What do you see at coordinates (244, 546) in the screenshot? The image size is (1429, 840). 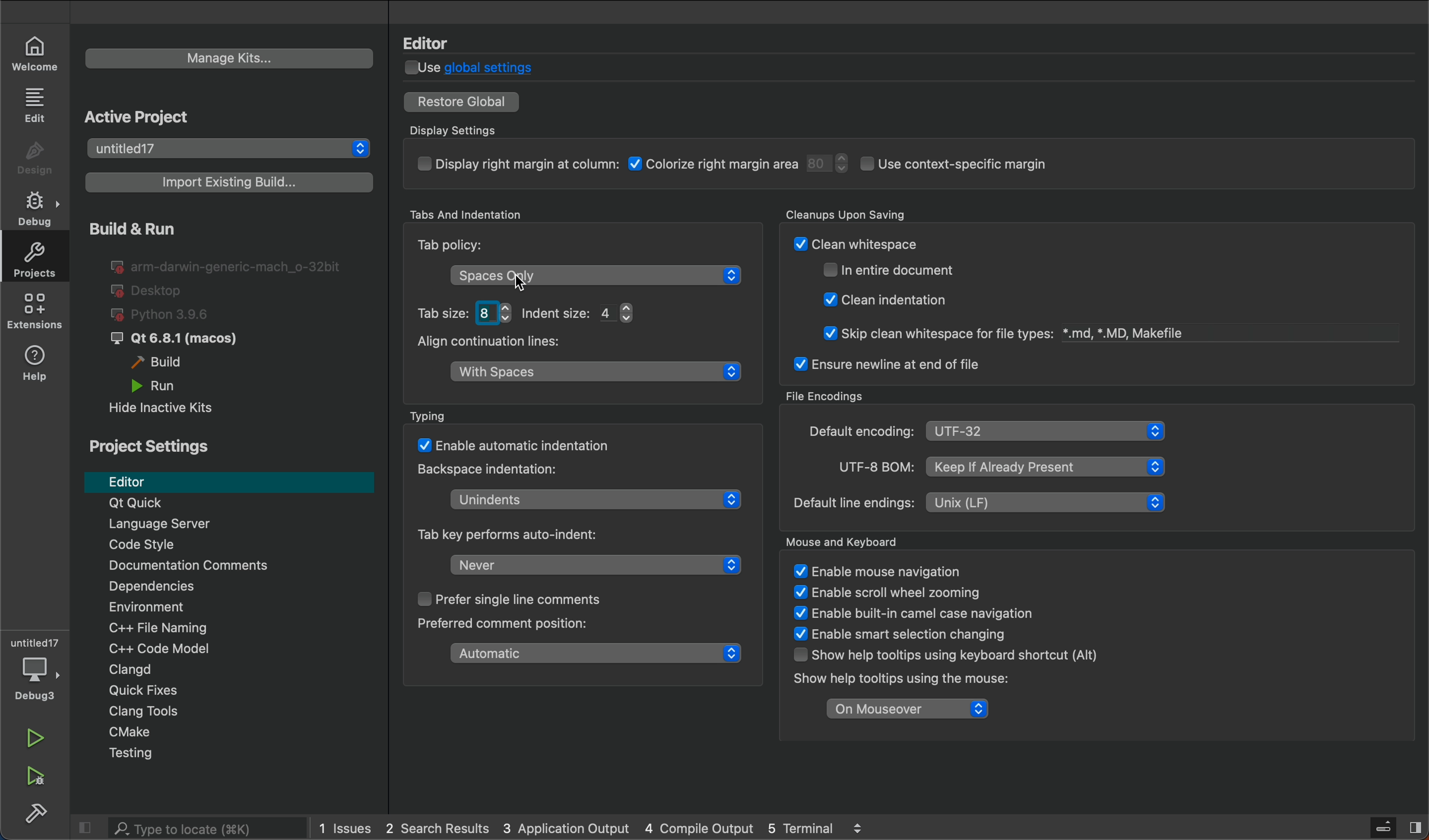 I see `code style` at bounding box center [244, 546].